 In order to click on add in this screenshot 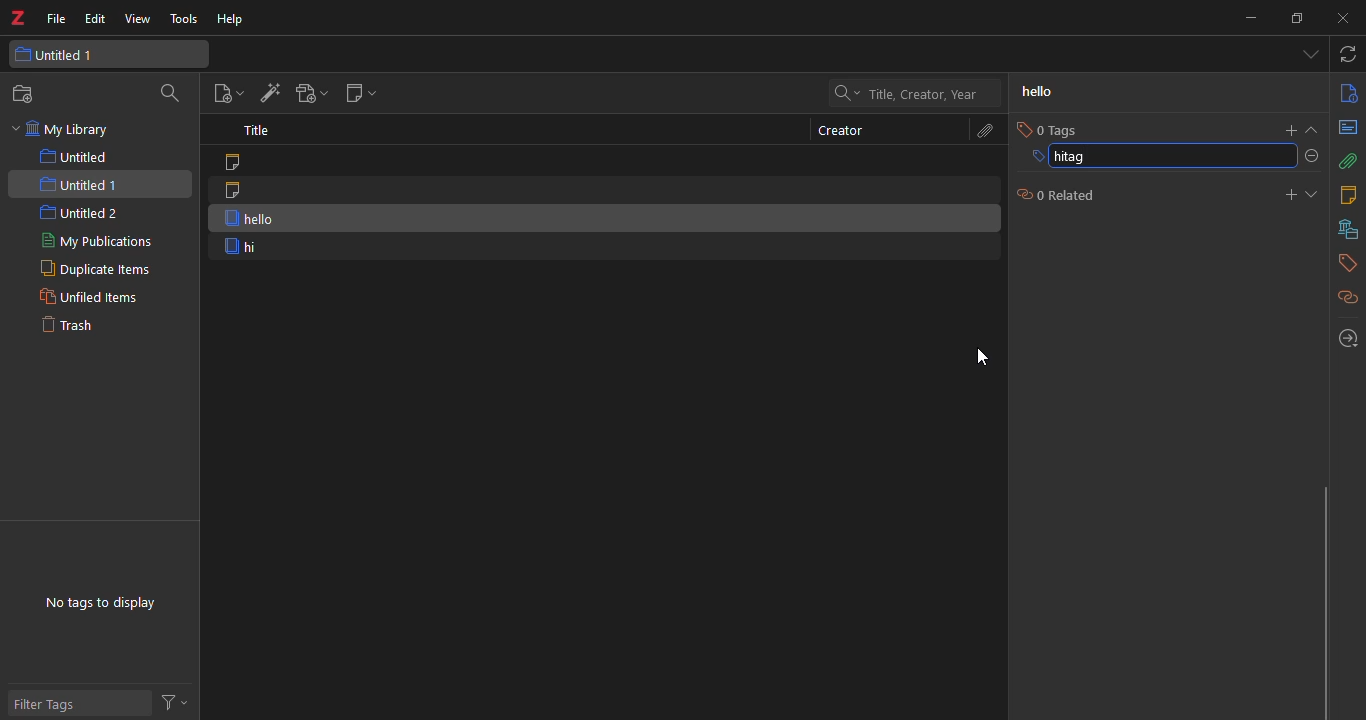, I will do `click(1287, 128)`.